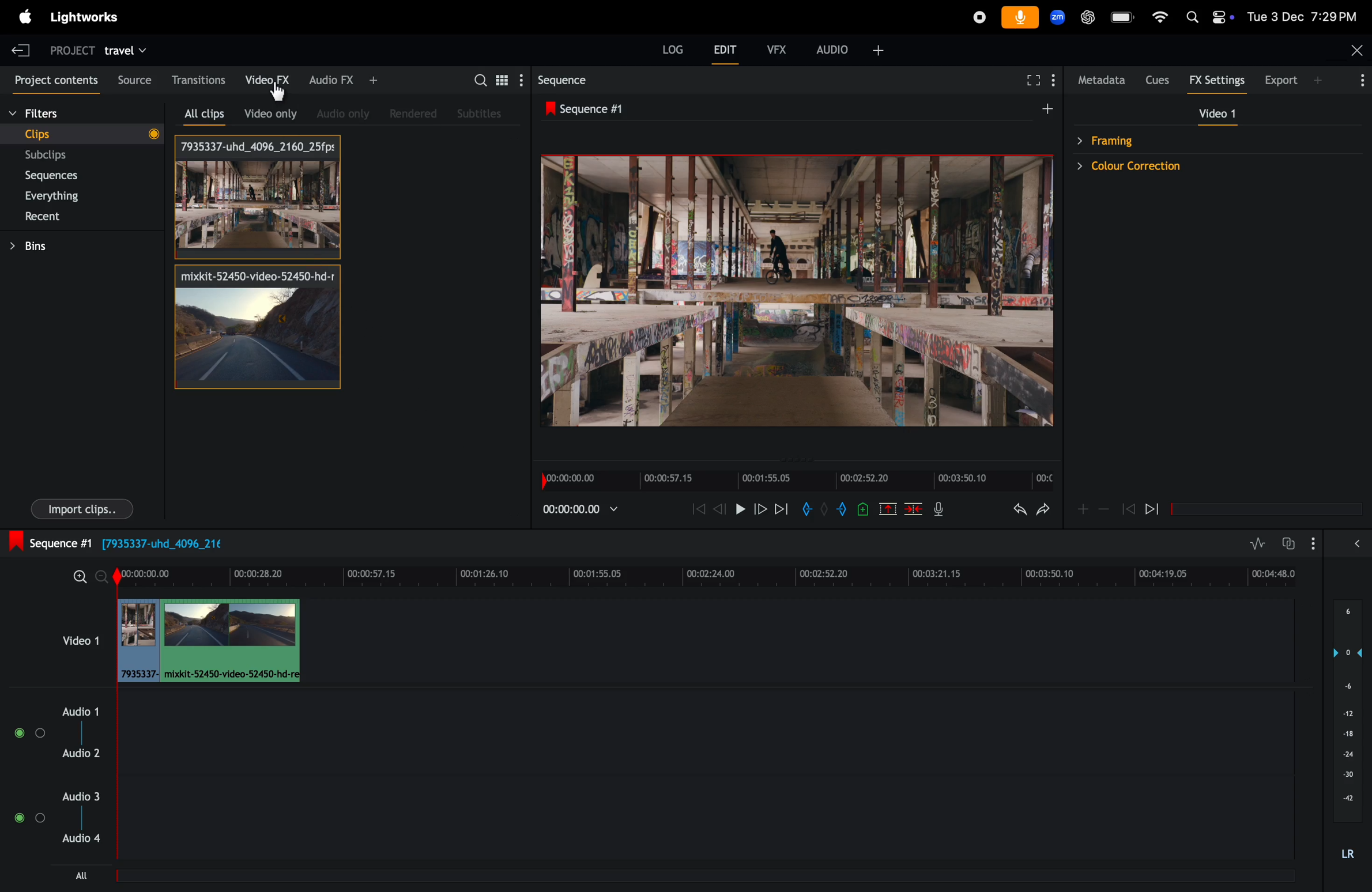 This screenshot has width=1372, height=892. Describe the element at coordinates (87, 753) in the screenshot. I see `audio 2` at that location.